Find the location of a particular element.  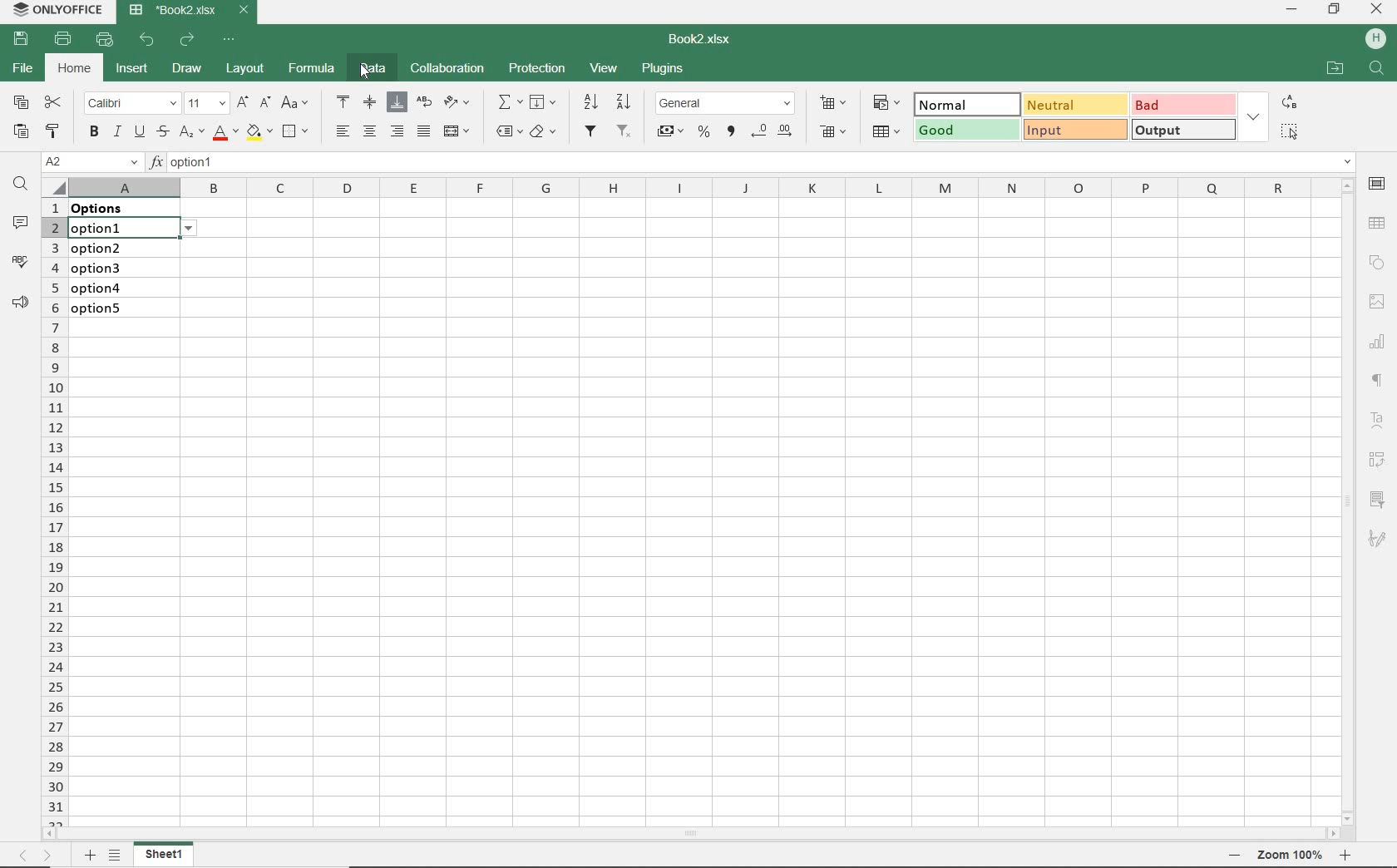

FORMAT AS TABLE TEMPLATE is located at coordinates (888, 133).